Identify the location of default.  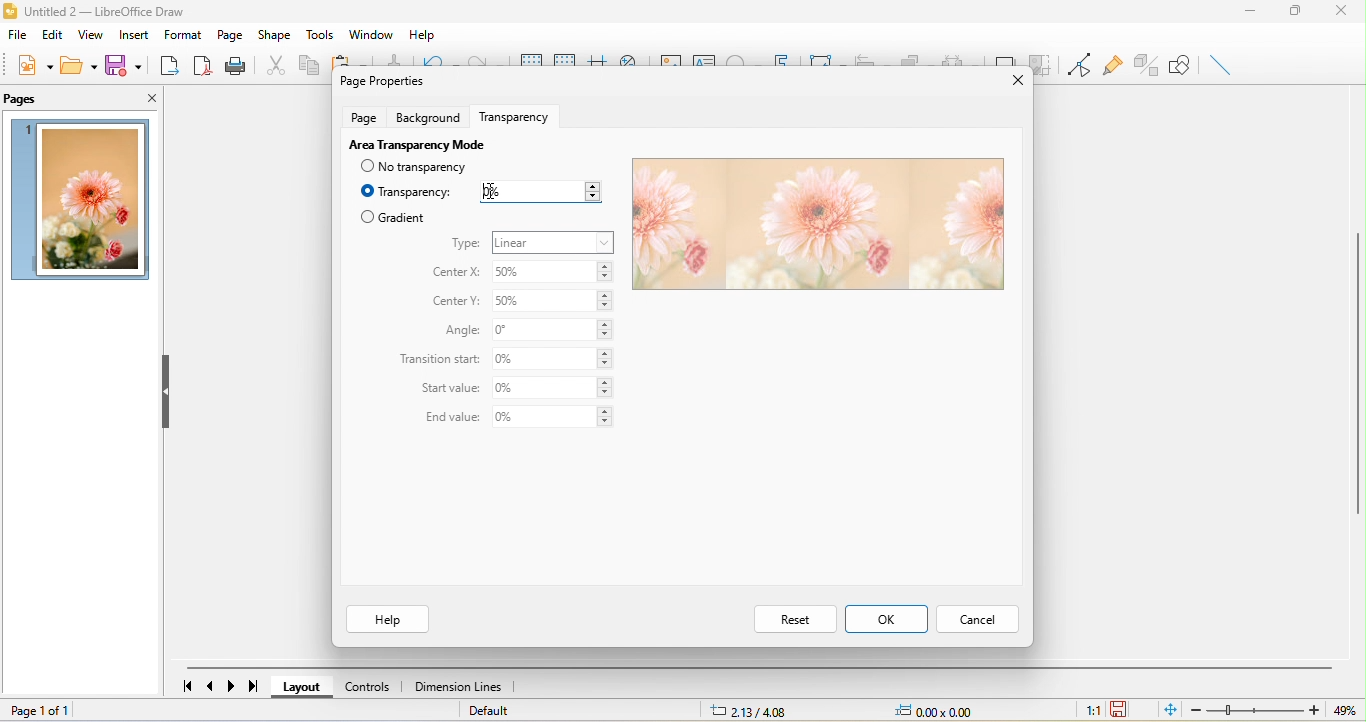
(491, 711).